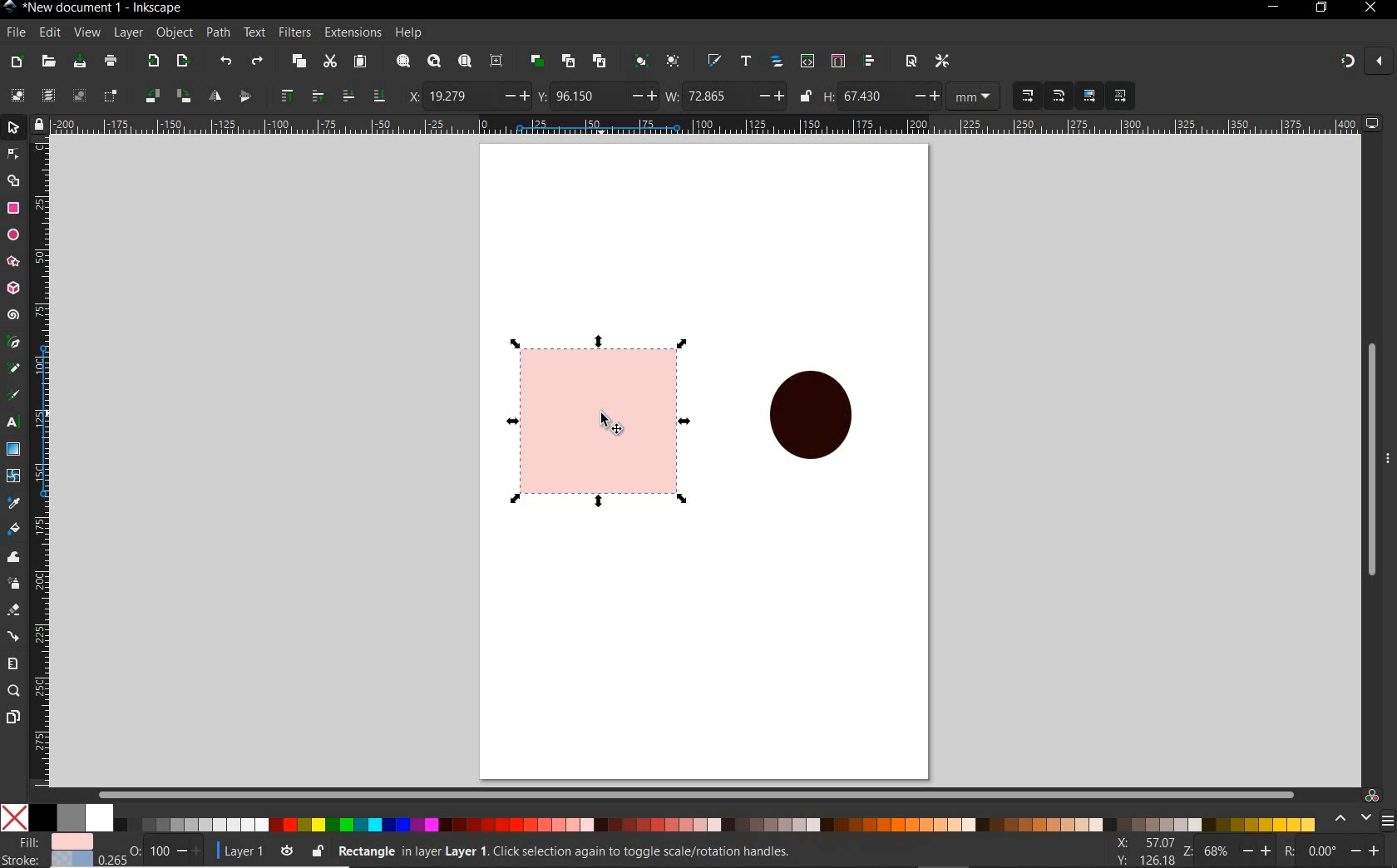 This screenshot has width=1397, height=868. I want to click on scrollbar, so click(1371, 446).